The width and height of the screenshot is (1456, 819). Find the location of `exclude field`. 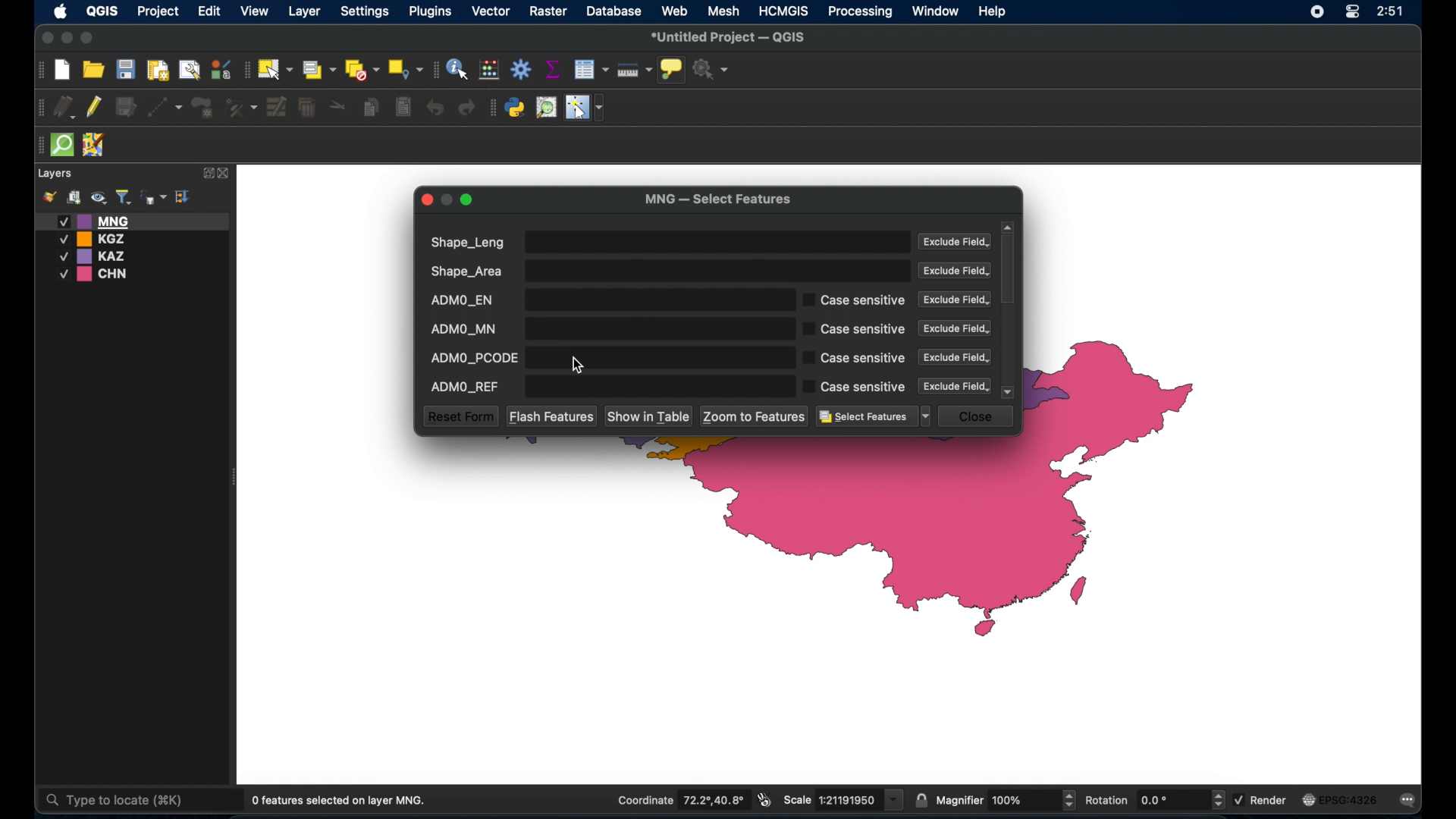

exclude field is located at coordinates (955, 271).